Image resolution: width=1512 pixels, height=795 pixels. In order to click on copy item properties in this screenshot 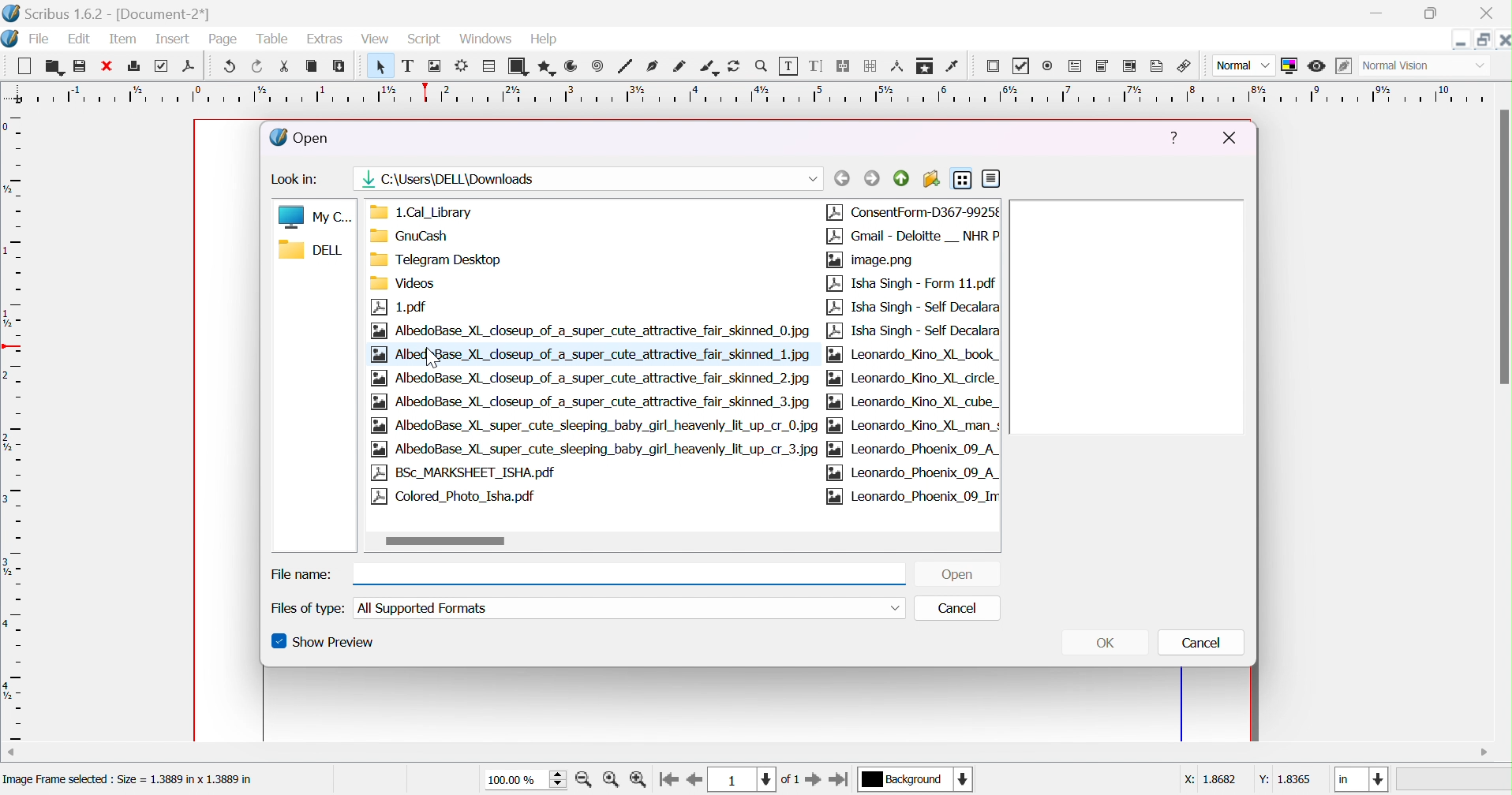, I will do `click(924, 65)`.